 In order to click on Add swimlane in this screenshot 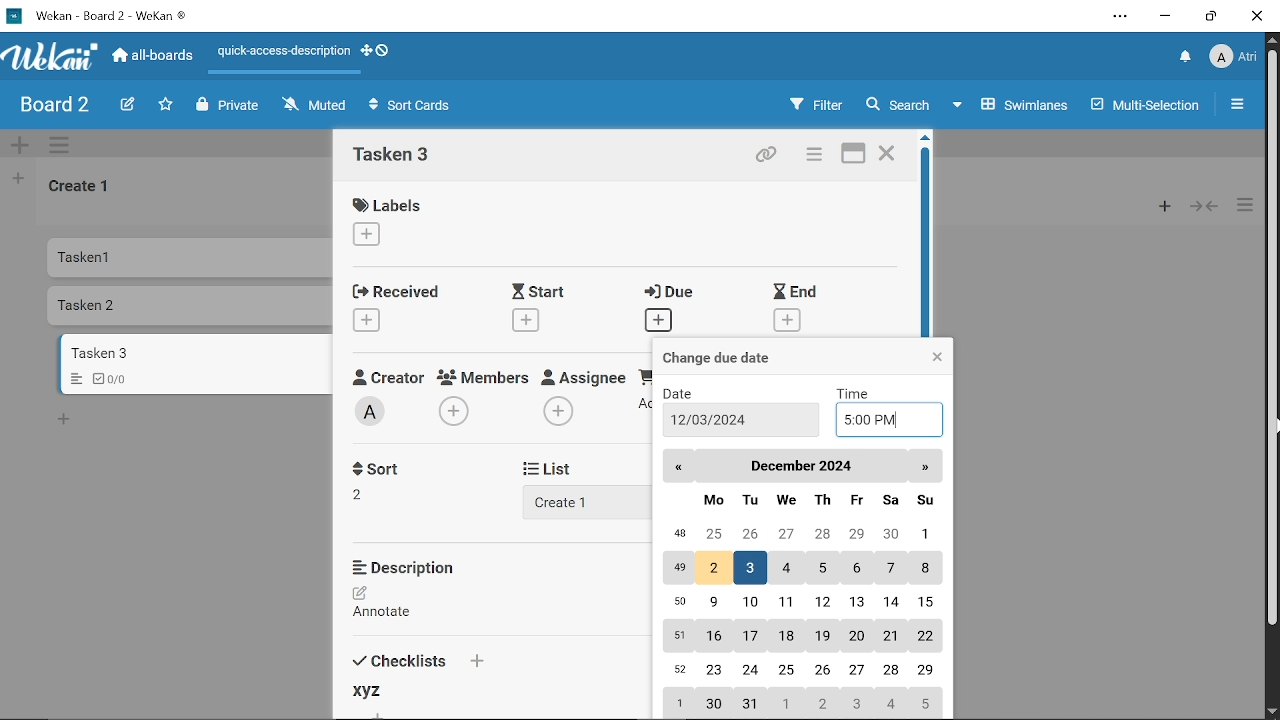, I will do `click(22, 145)`.